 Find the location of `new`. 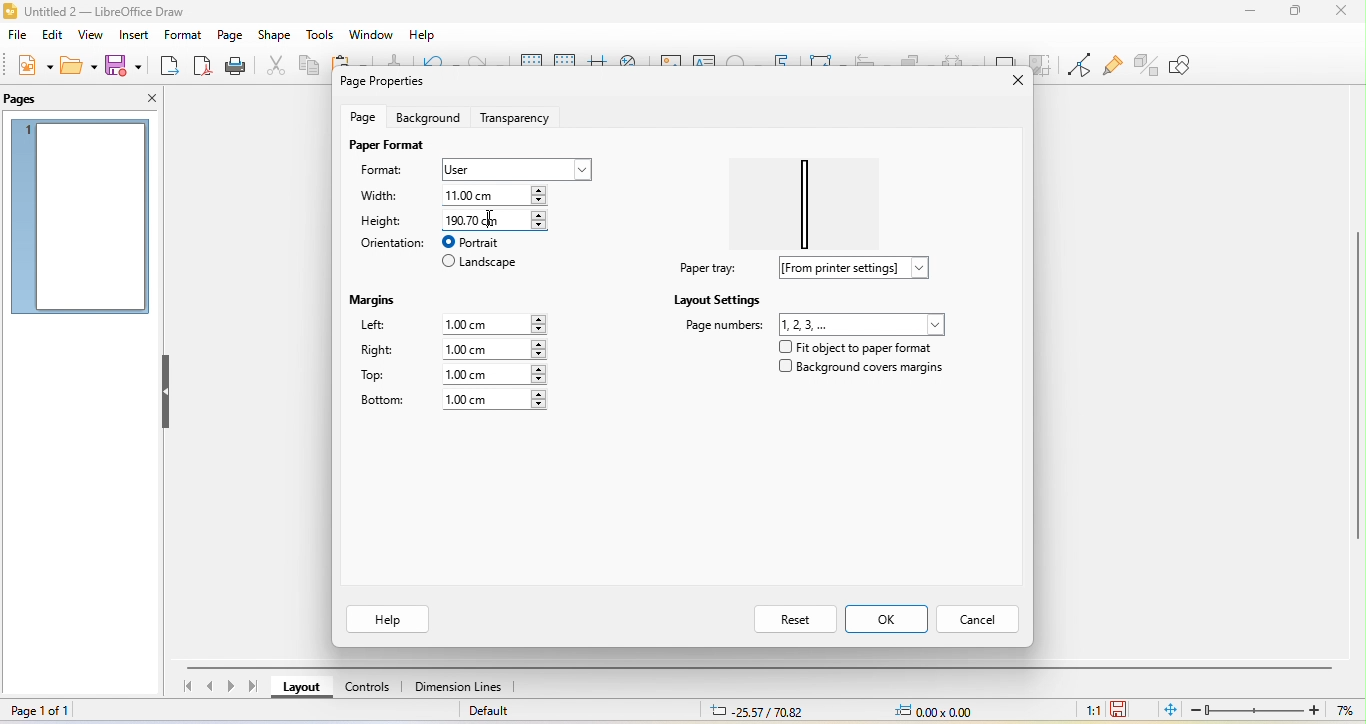

new is located at coordinates (32, 66).